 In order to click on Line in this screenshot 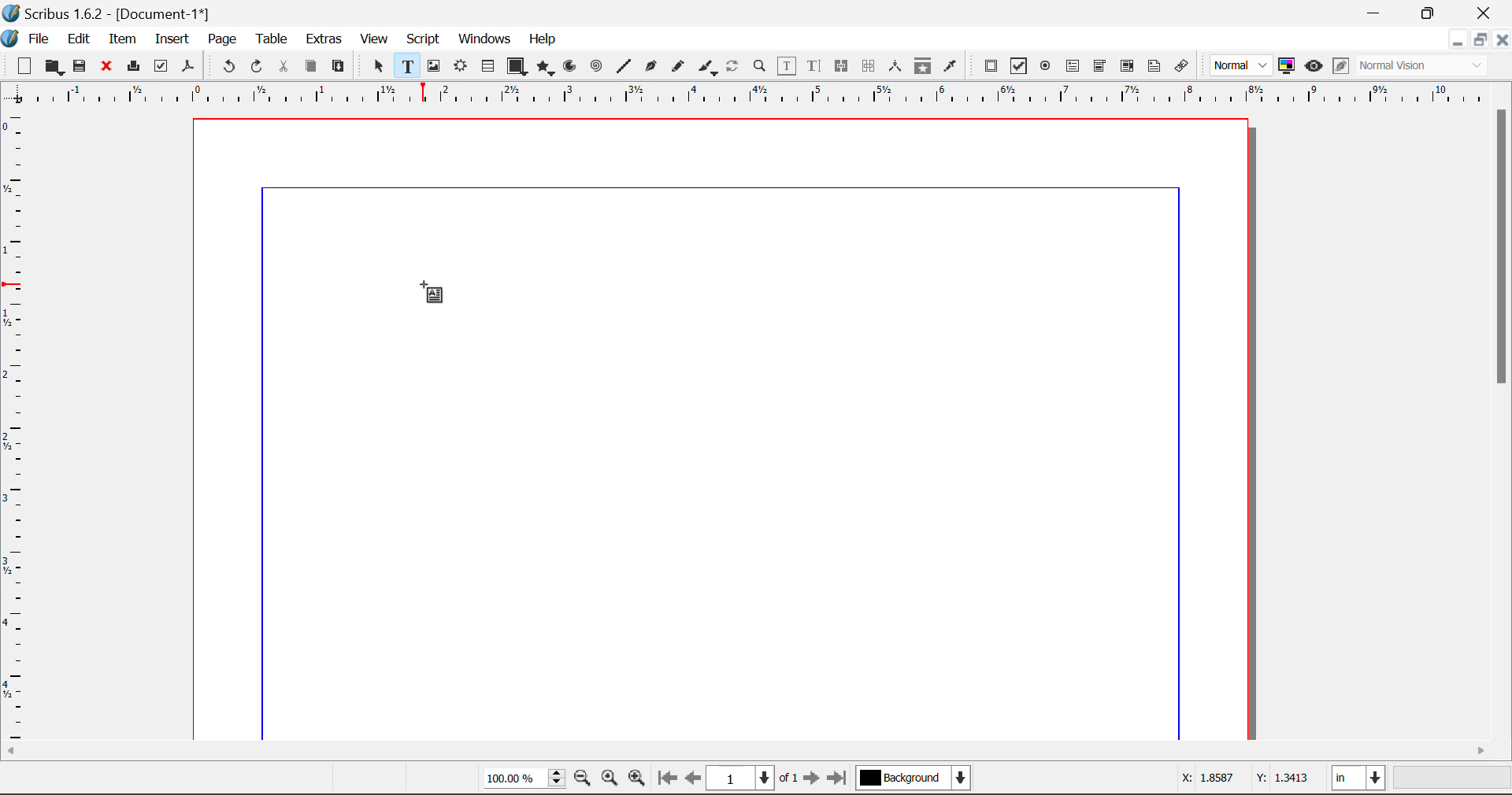, I will do `click(624, 66)`.